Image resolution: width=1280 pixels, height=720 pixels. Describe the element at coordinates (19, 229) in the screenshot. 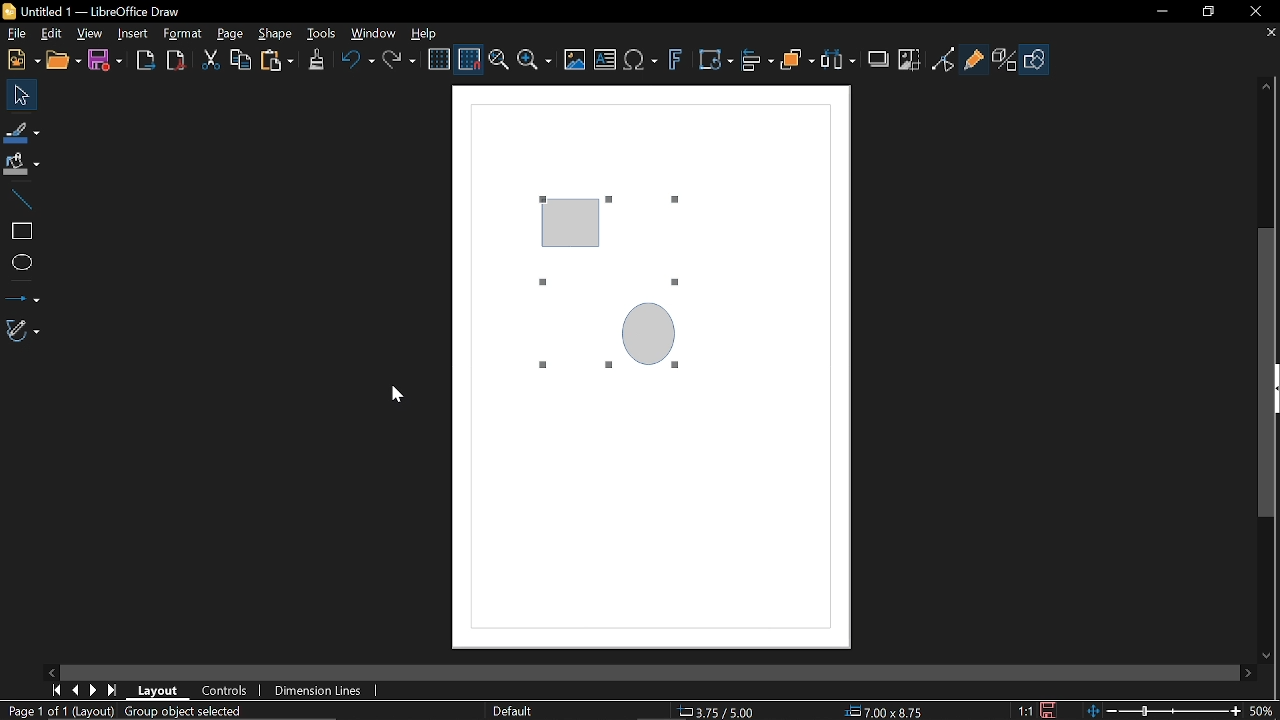

I see `Rectangle` at that location.